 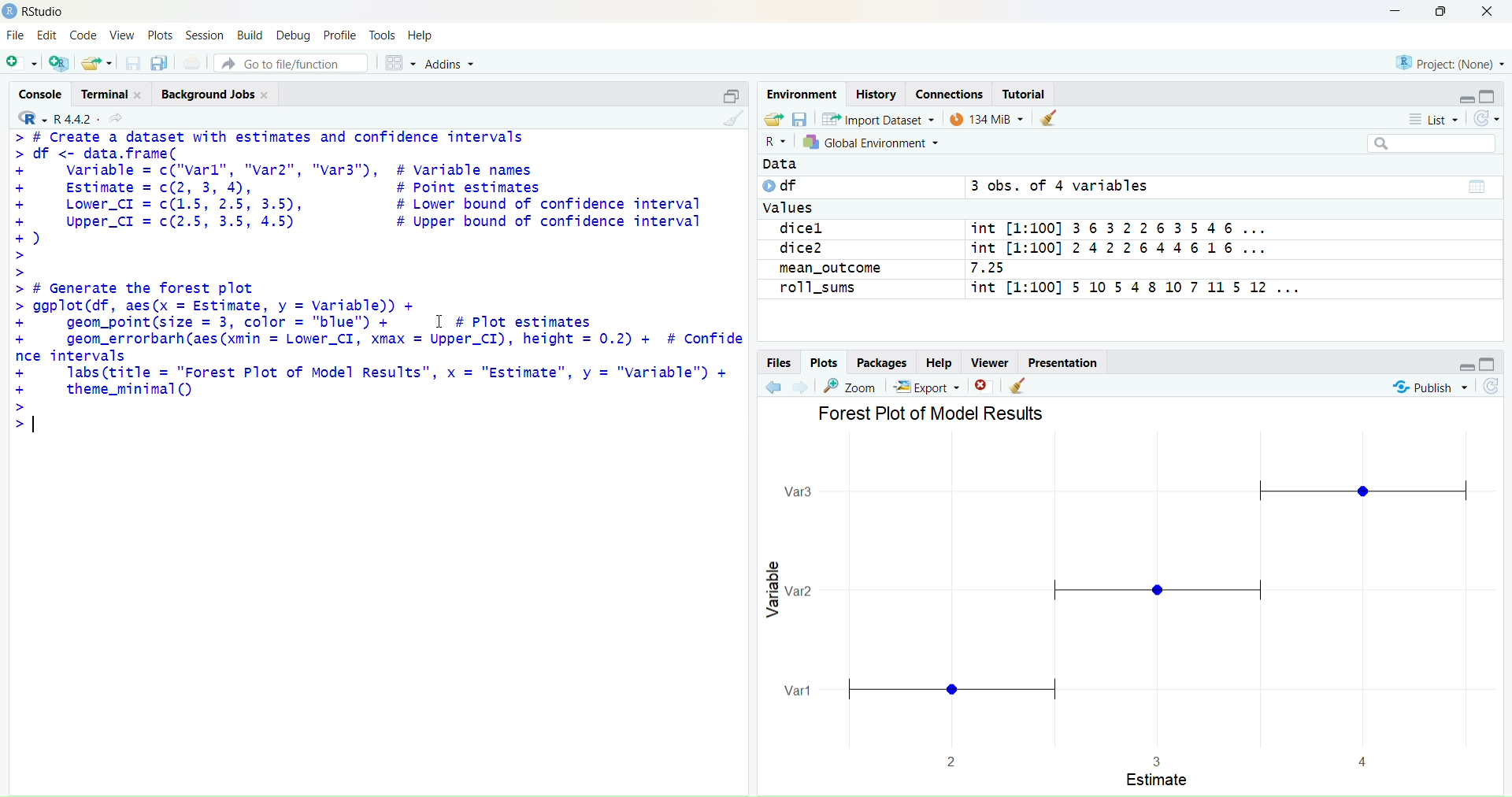 I want to click on Plots, so click(x=825, y=363).